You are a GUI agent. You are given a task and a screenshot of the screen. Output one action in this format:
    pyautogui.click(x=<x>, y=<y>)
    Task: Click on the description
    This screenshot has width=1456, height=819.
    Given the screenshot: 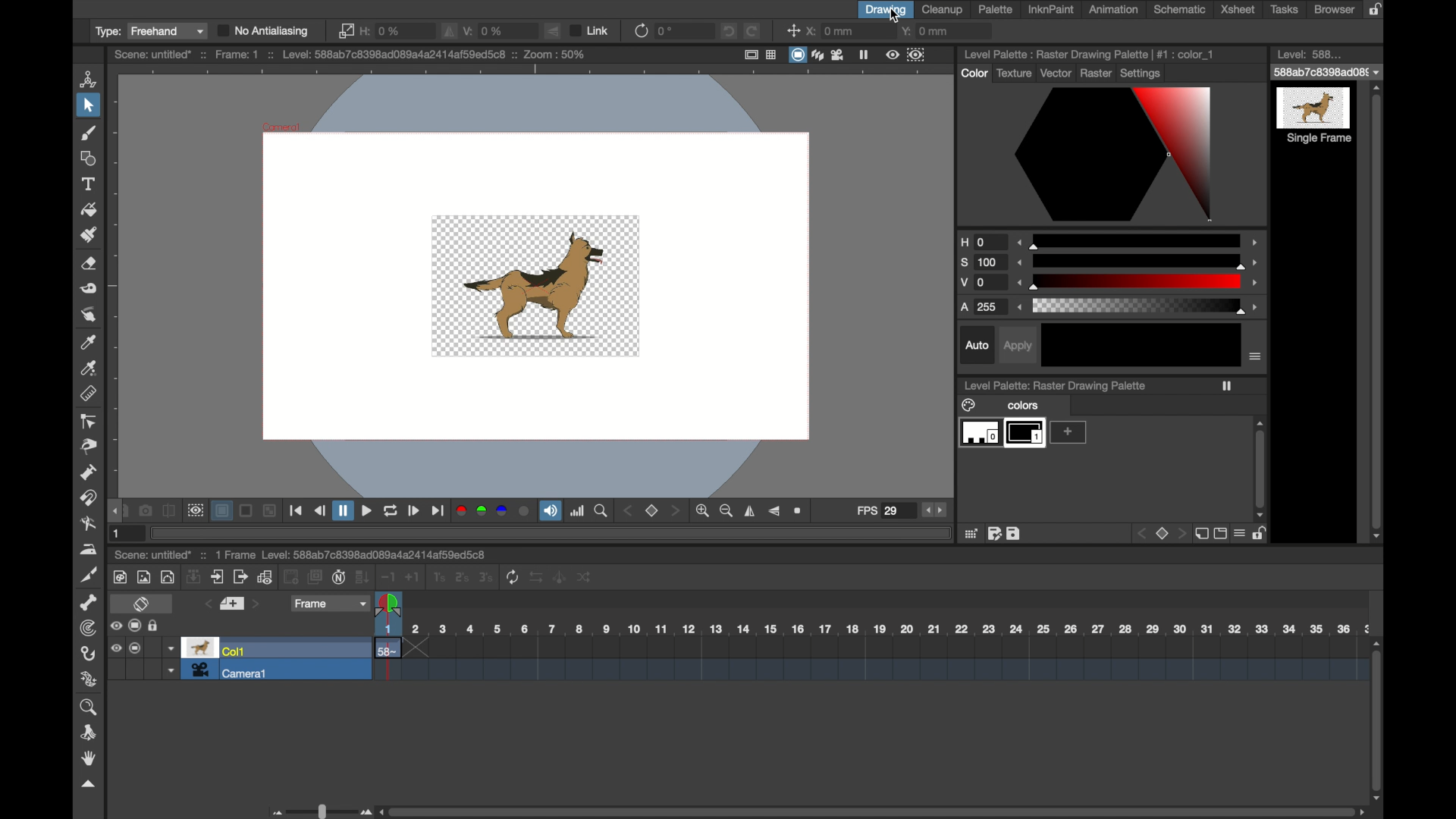 What is the action you would take?
    pyautogui.click(x=1070, y=387)
    